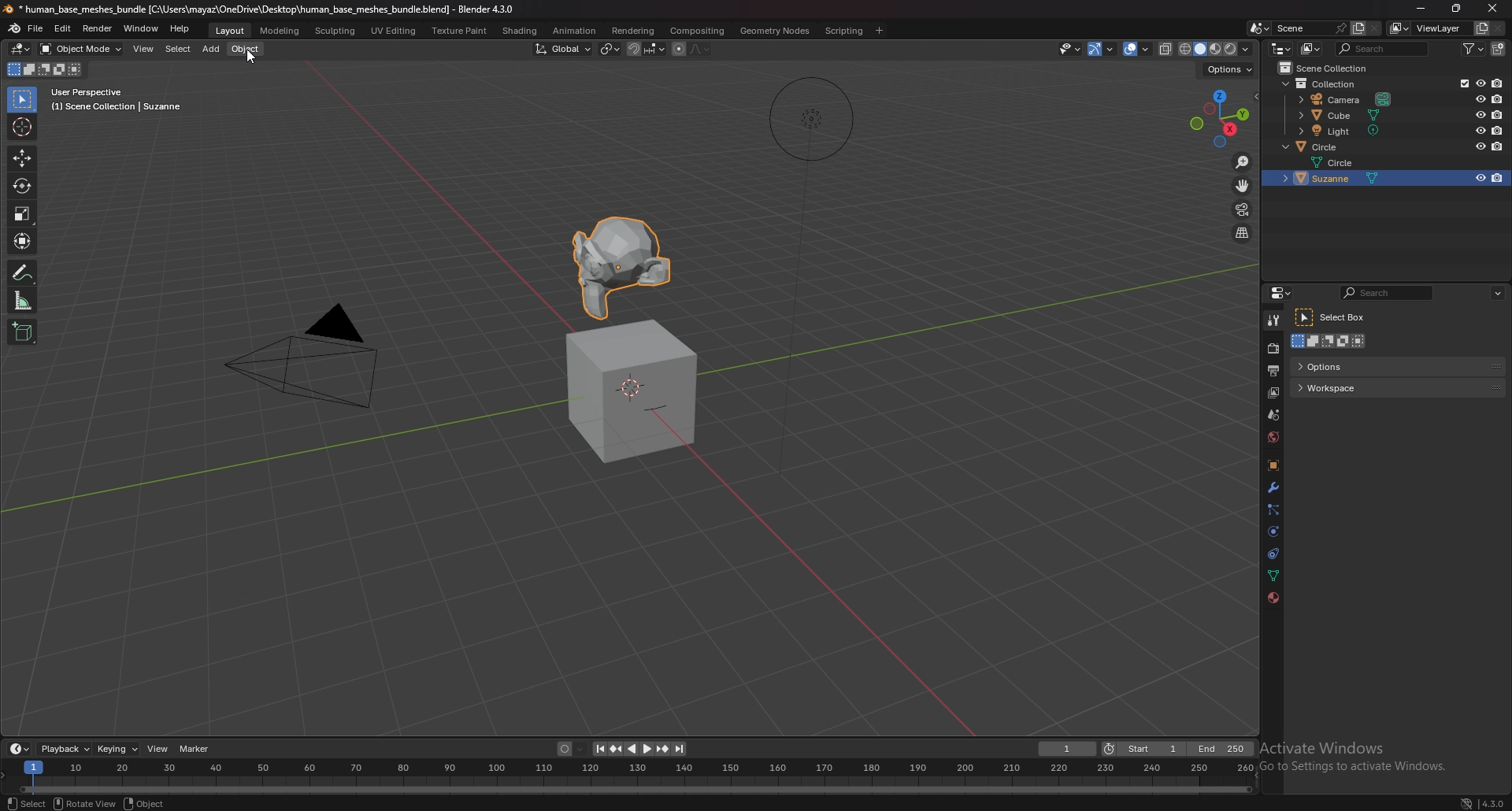  What do you see at coordinates (1323, 84) in the screenshot?
I see `collection` at bounding box center [1323, 84].